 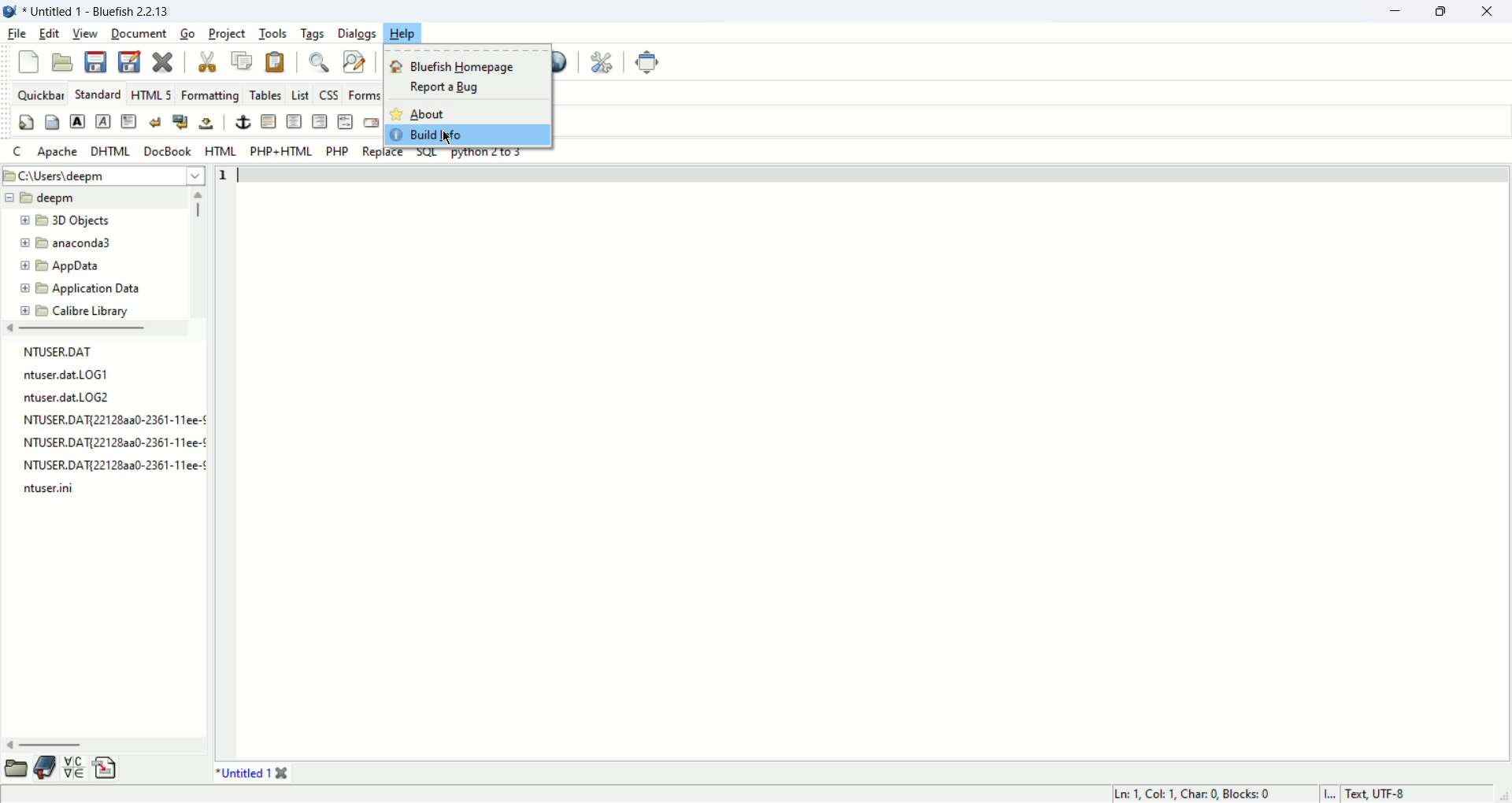 What do you see at coordinates (98, 61) in the screenshot?
I see `save` at bounding box center [98, 61].